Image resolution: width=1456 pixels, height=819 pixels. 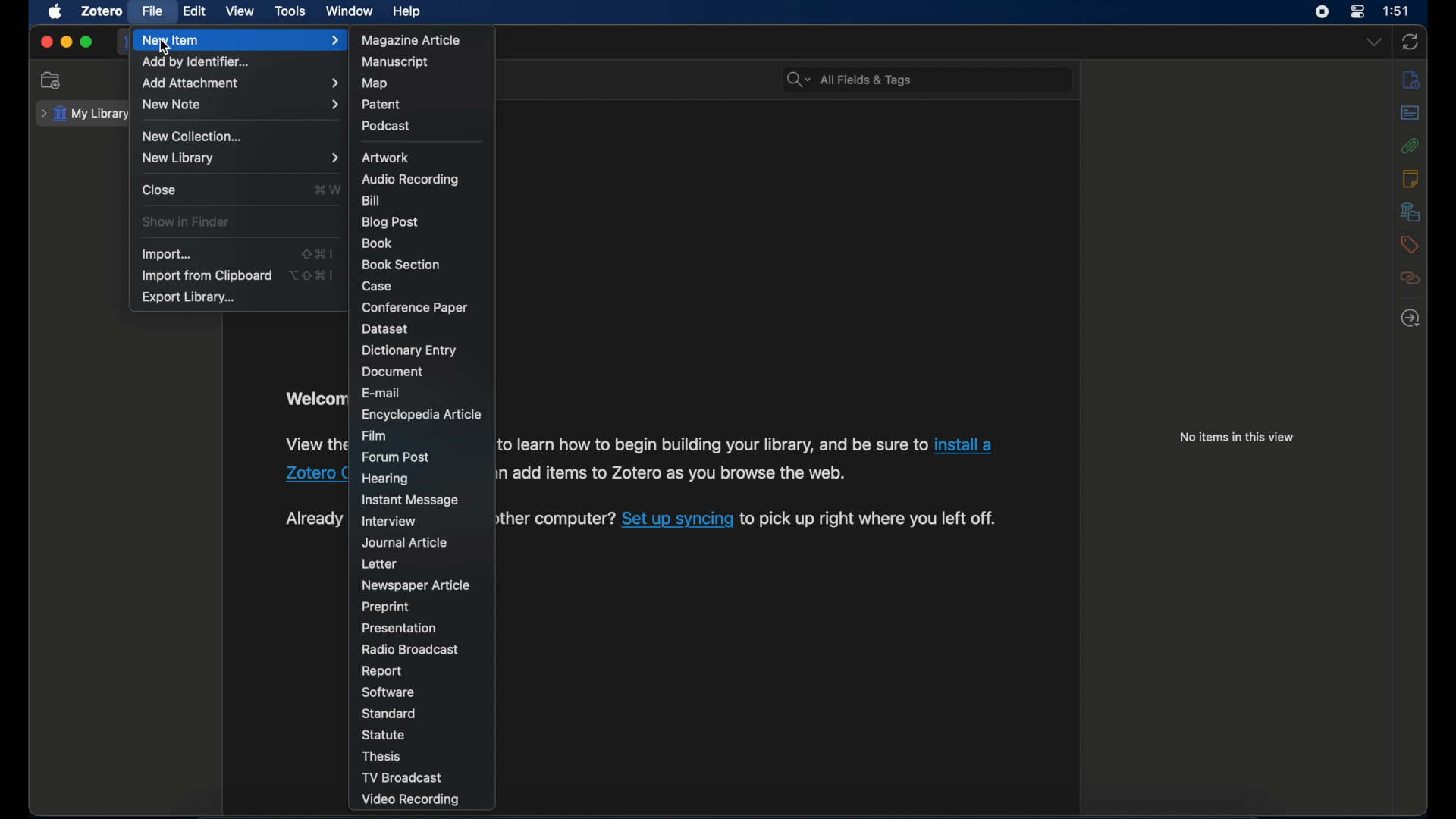 What do you see at coordinates (160, 189) in the screenshot?
I see `close` at bounding box center [160, 189].